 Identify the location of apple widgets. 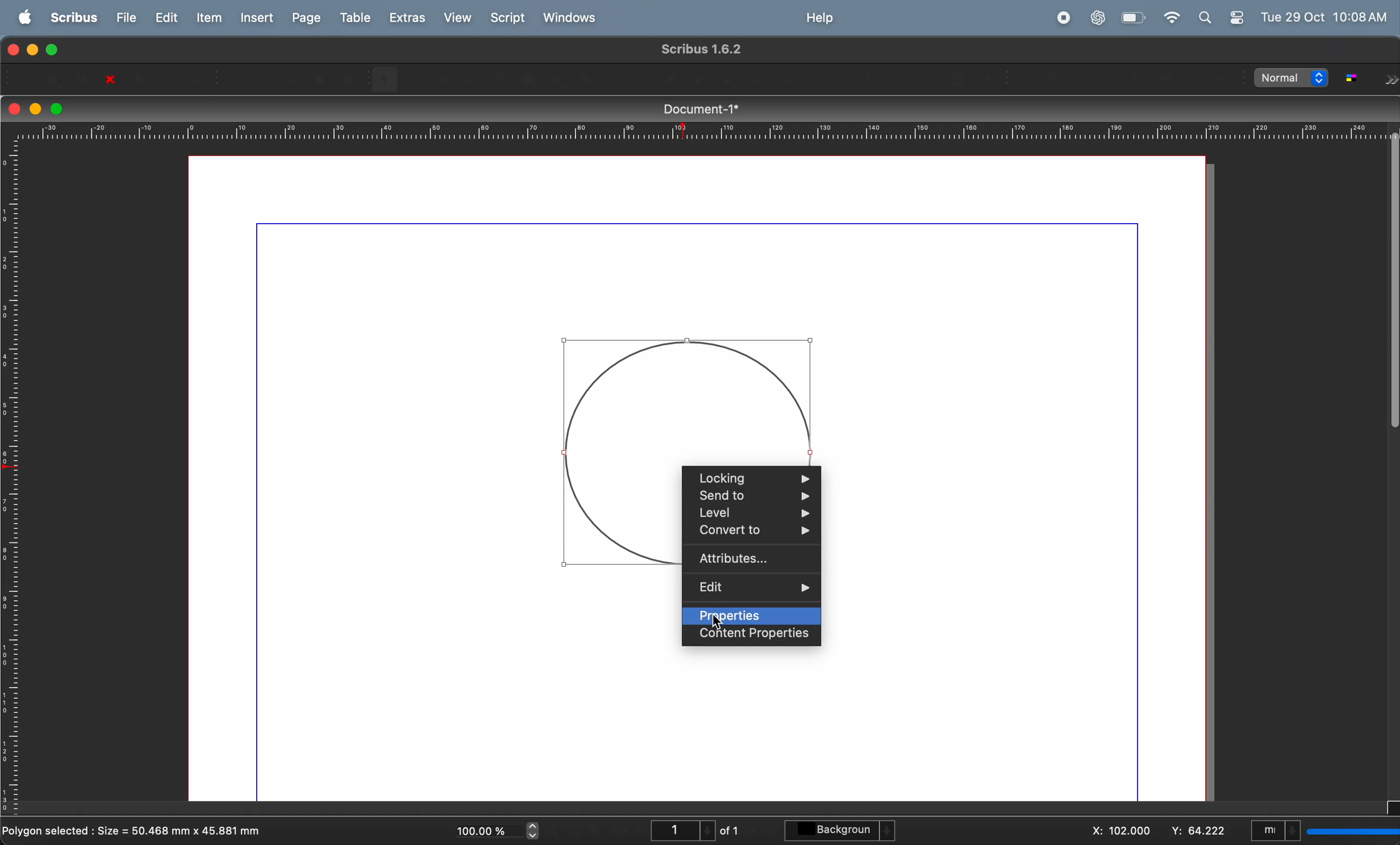
(1223, 16).